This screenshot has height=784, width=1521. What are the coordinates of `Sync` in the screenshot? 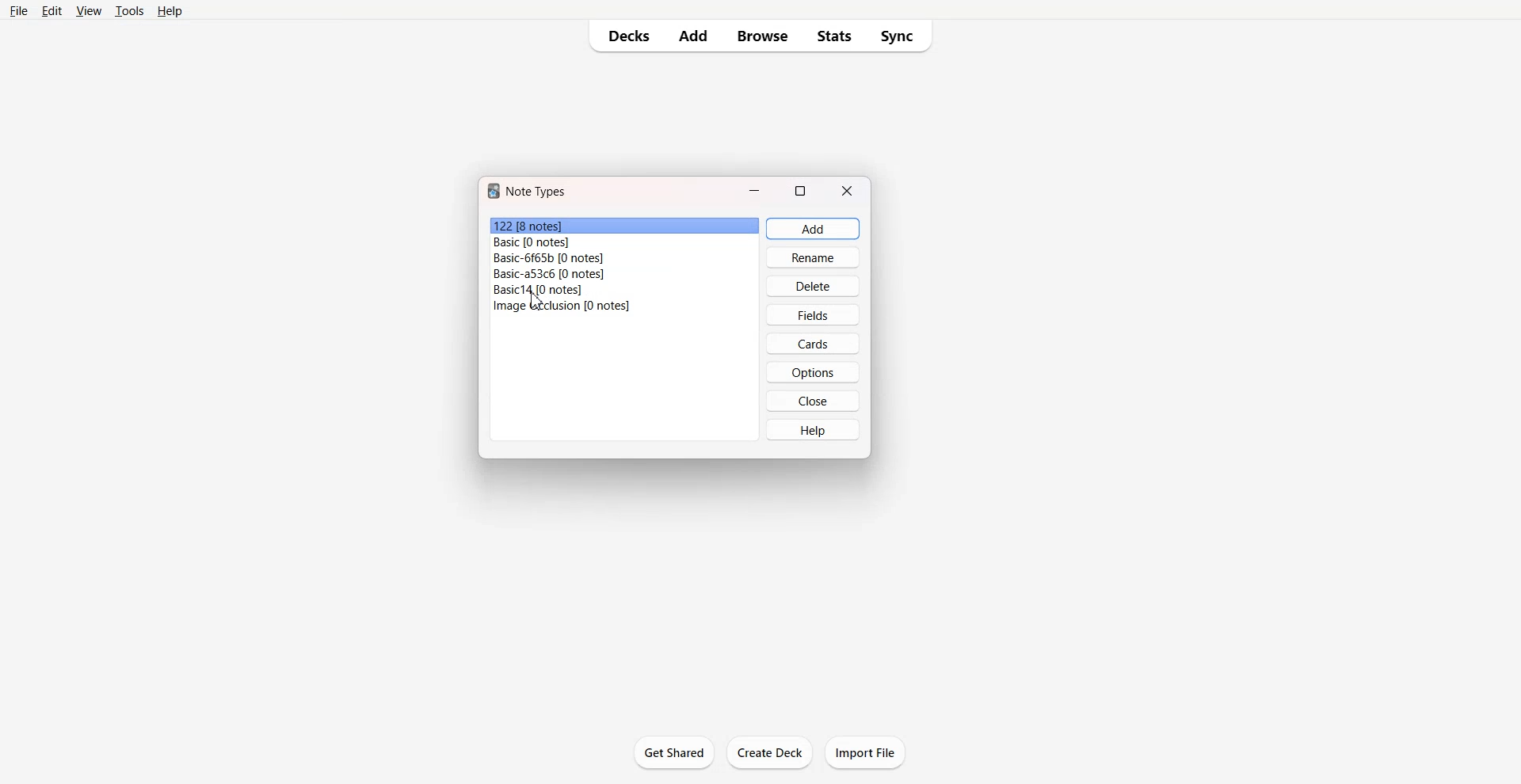 It's located at (900, 36).